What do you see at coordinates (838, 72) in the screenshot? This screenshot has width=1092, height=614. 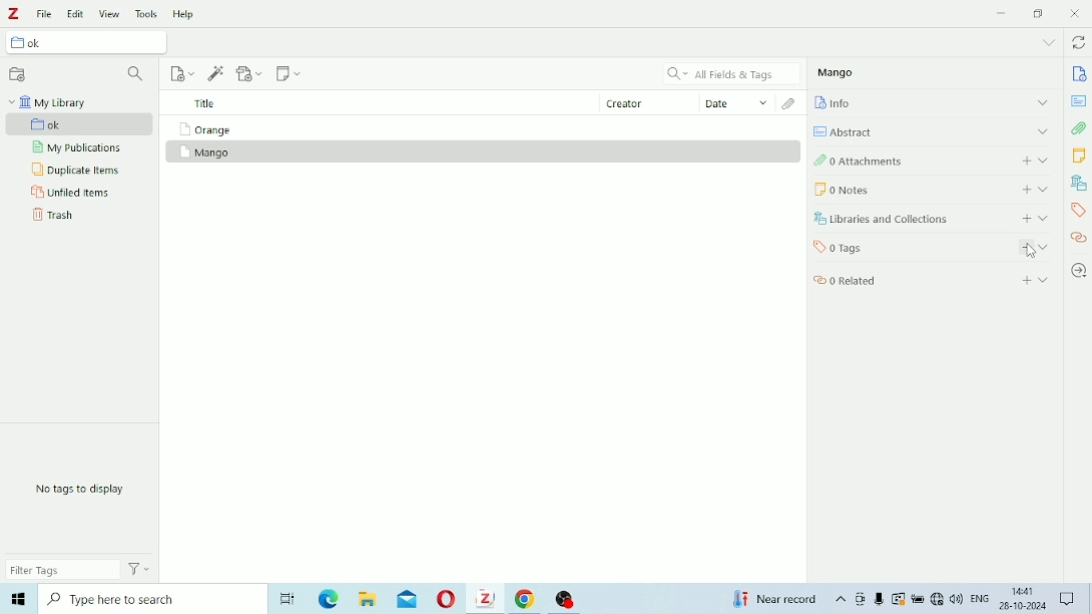 I see `Mango` at bounding box center [838, 72].